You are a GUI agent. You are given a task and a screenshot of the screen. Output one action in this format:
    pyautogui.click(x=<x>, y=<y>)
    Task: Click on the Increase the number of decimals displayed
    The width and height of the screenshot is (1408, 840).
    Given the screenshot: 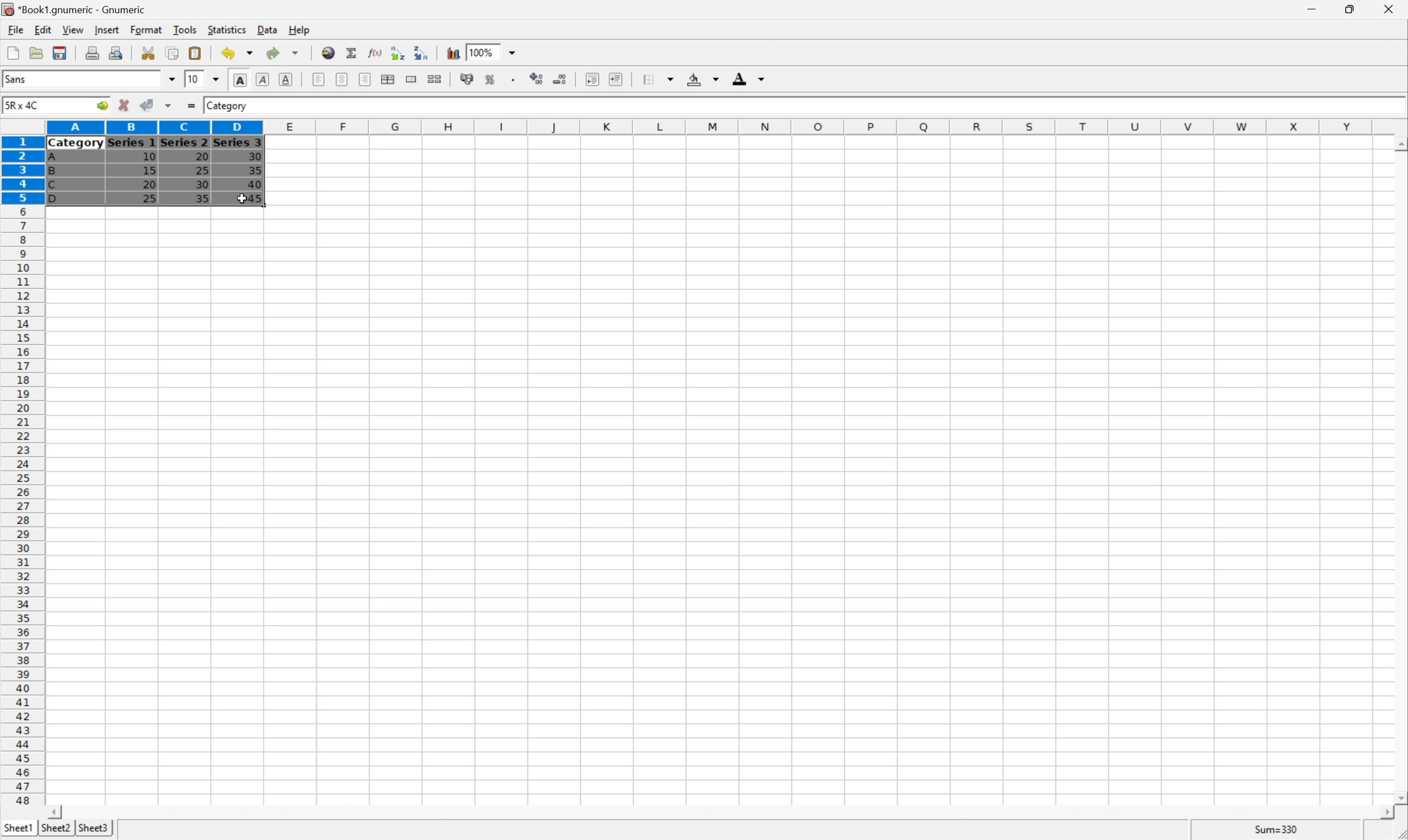 What is the action you would take?
    pyautogui.click(x=537, y=79)
    